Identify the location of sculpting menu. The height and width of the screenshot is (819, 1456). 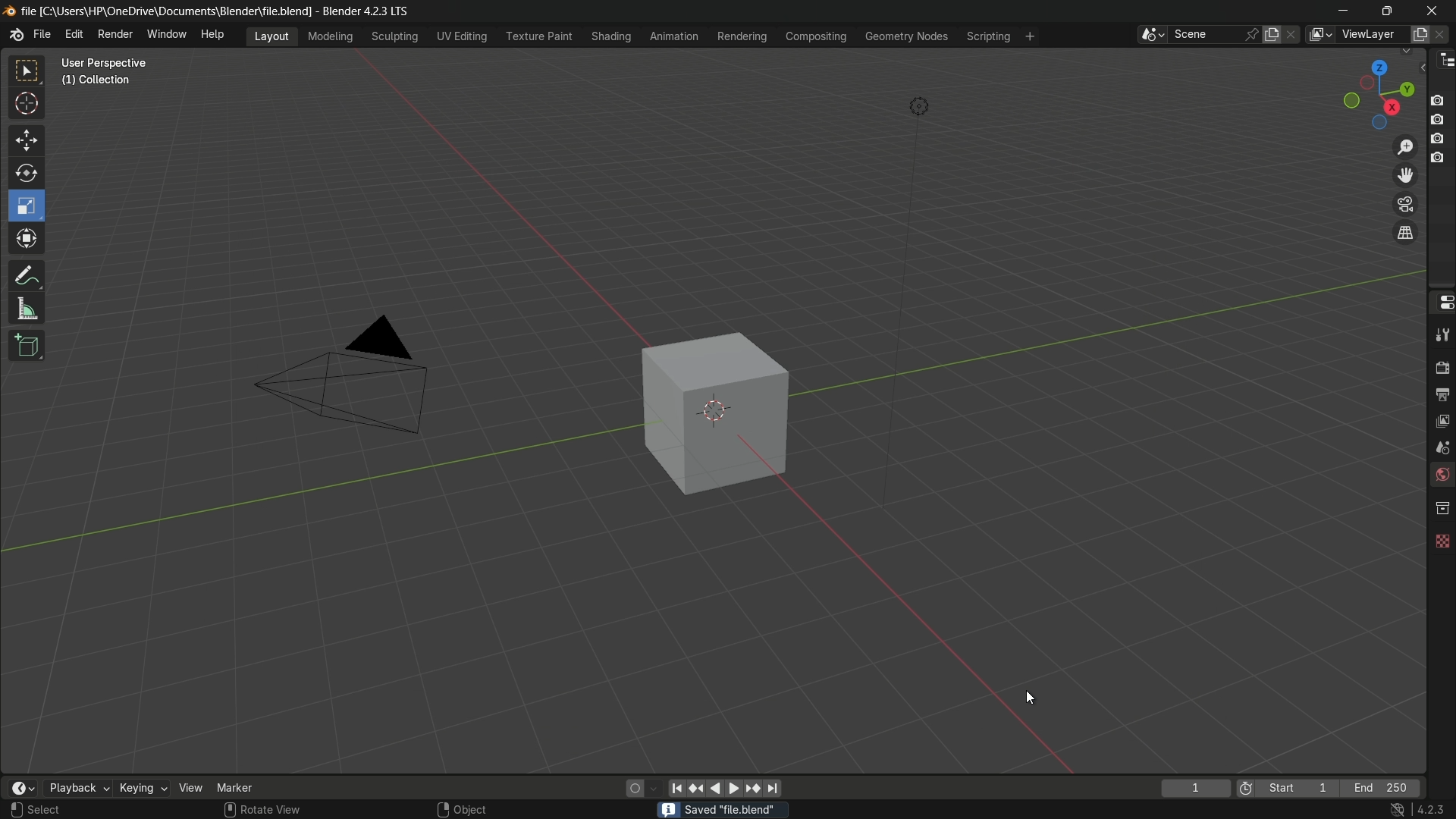
(391, 36).